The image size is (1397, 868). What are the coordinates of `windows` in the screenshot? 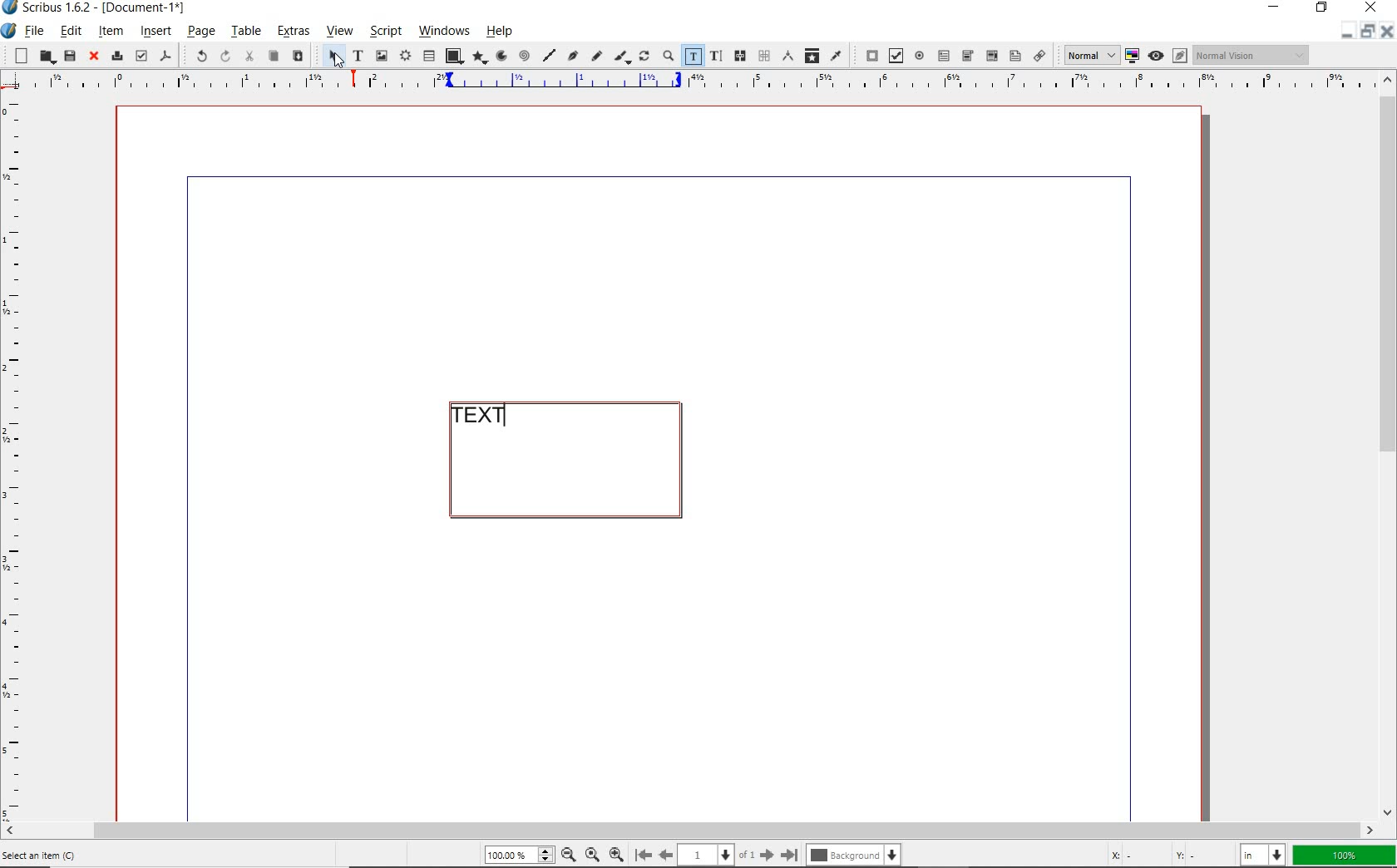 It's located at (446, 32).